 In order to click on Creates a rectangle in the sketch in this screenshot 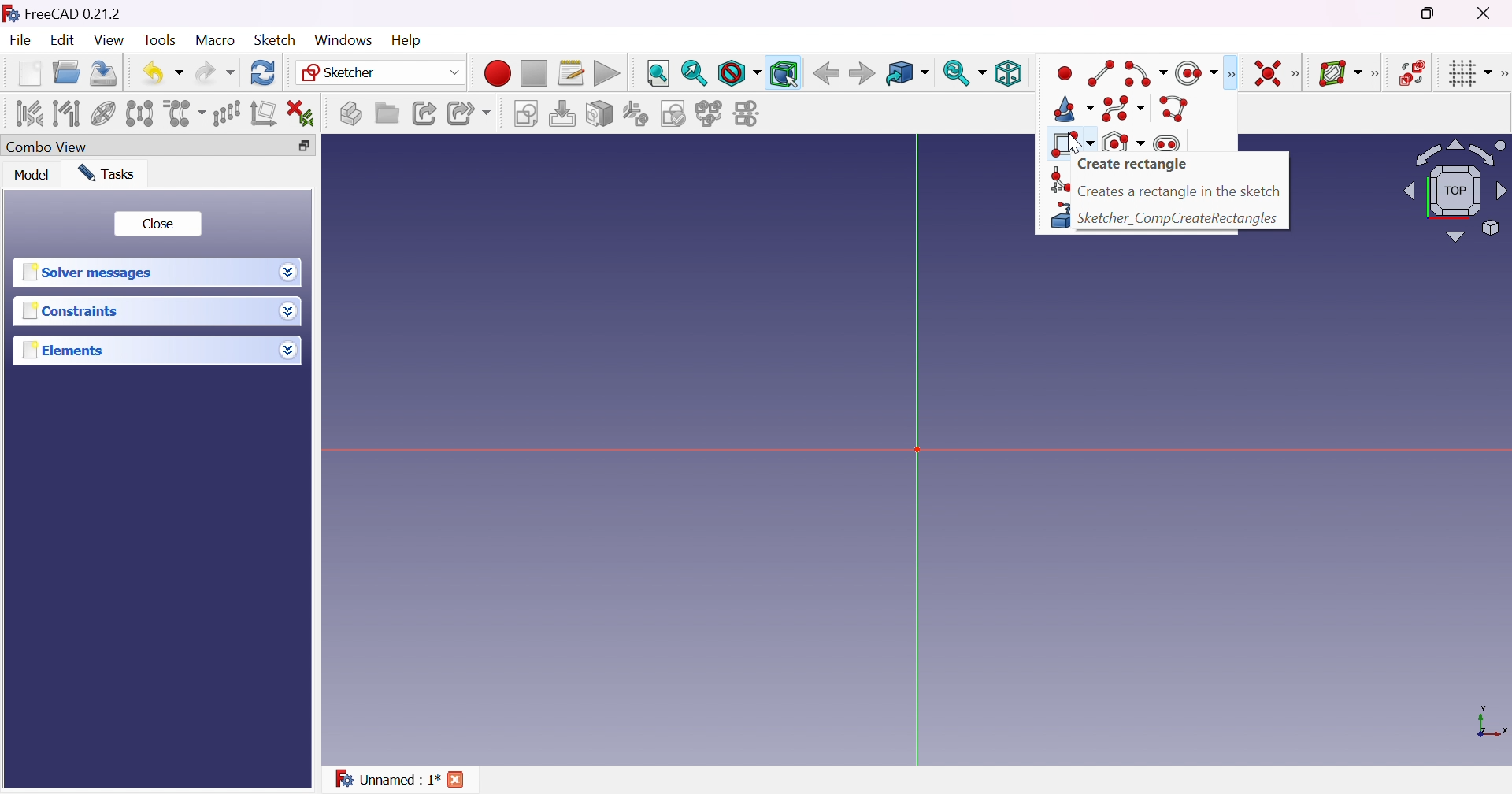, I will do `click(1180, 191)`.